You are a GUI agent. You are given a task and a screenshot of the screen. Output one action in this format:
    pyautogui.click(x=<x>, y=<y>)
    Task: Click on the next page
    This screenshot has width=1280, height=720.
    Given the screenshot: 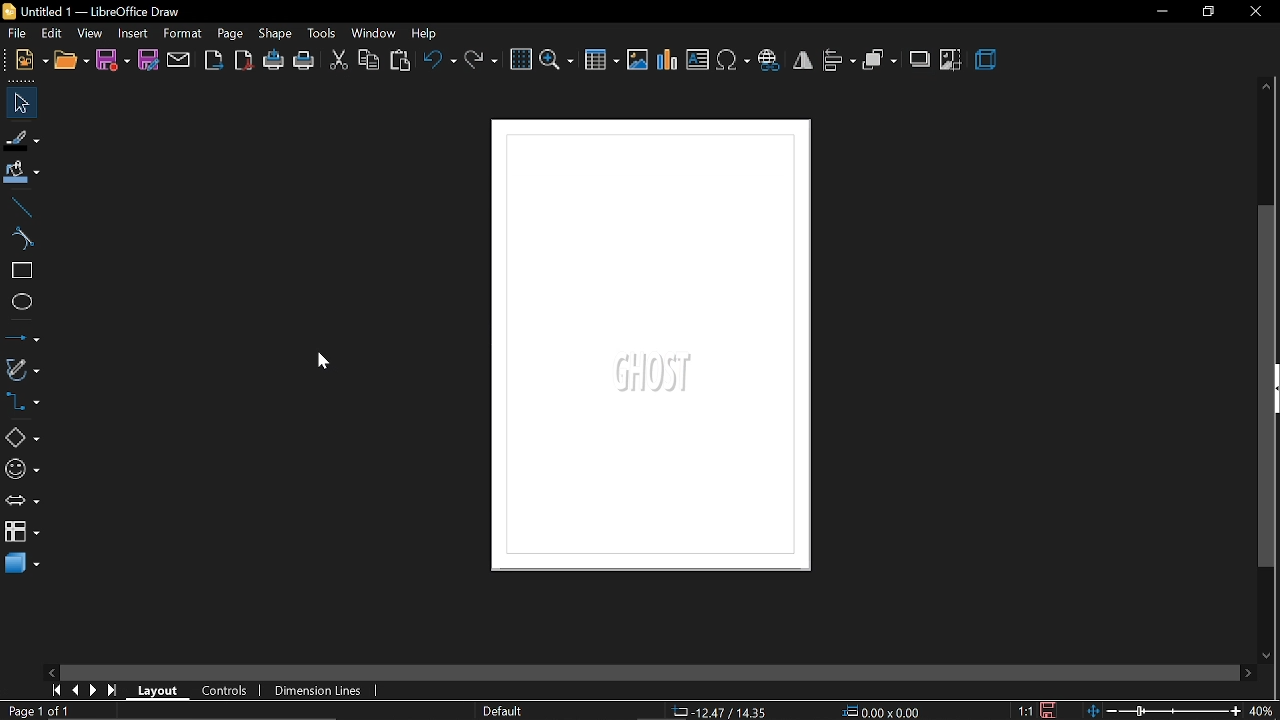 What is the action you would take?
    pyautogui.click(x=90, y=690)
    